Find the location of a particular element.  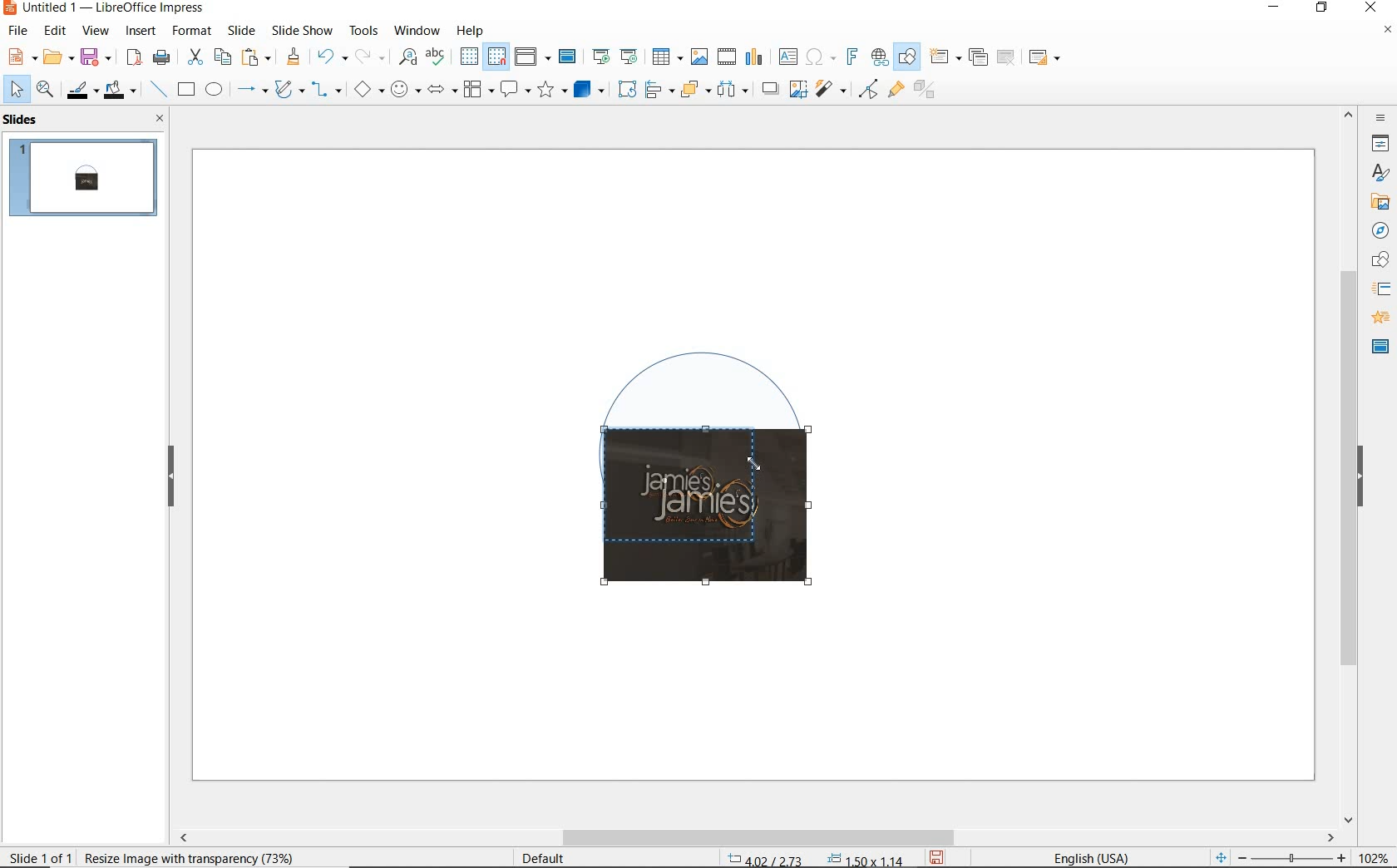

display/snap grid is located at coordinates (481, 57).